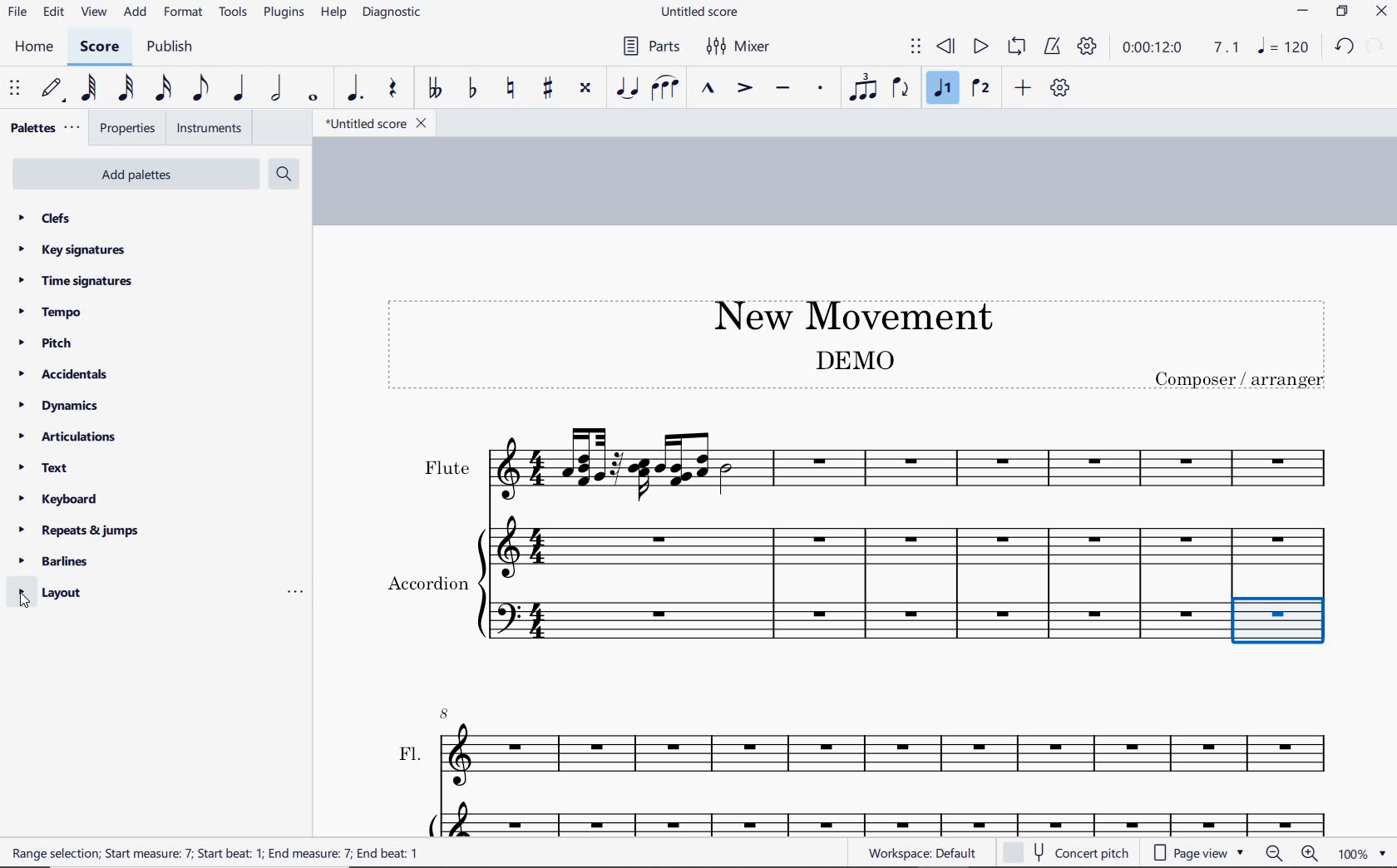 This screenshot has height=868, width=1397. What do you see at coordinates (394, 14) in the screenshot?
I see `diagnostic` at bounding box center [394, 14].